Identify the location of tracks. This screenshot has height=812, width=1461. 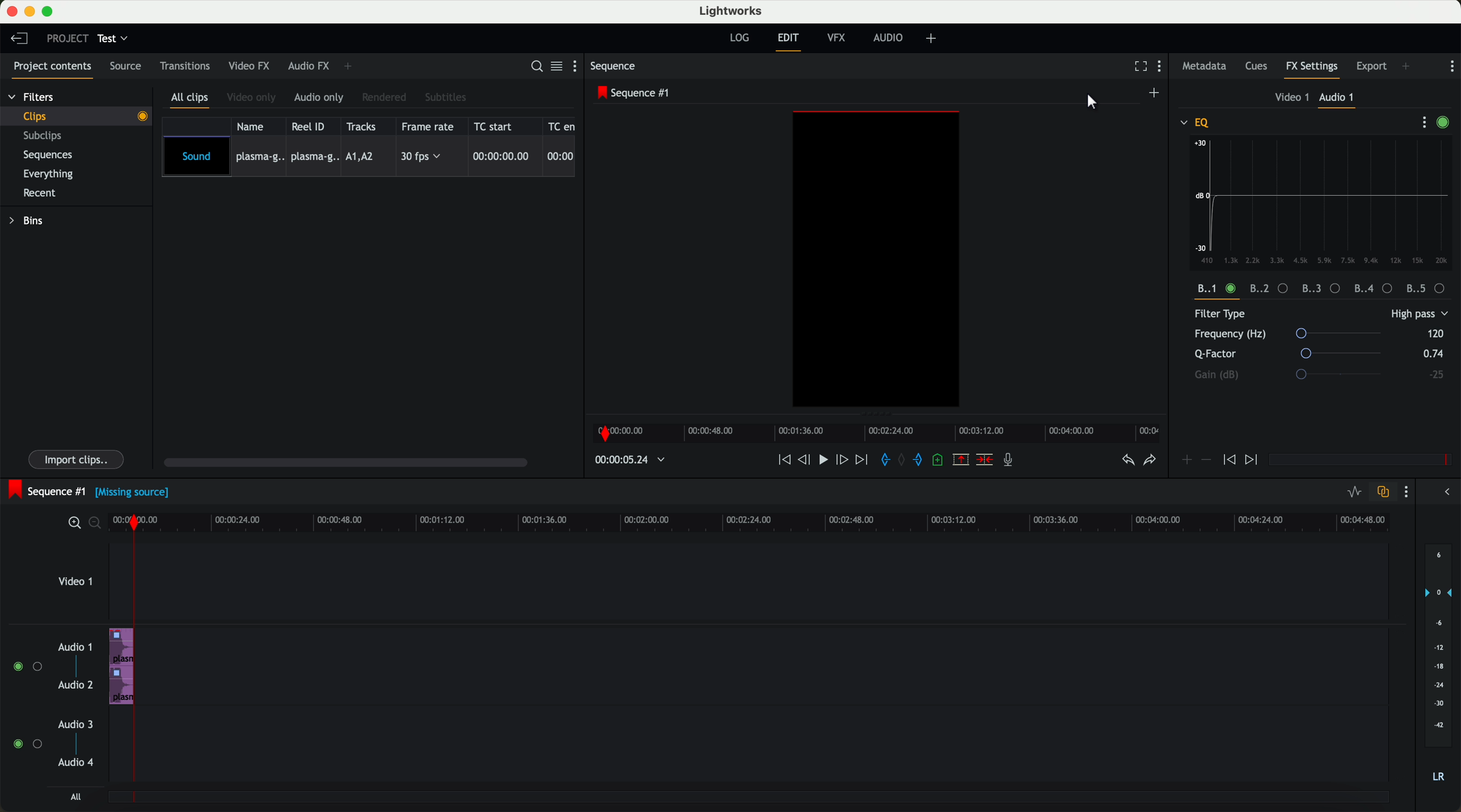
(364, 126).